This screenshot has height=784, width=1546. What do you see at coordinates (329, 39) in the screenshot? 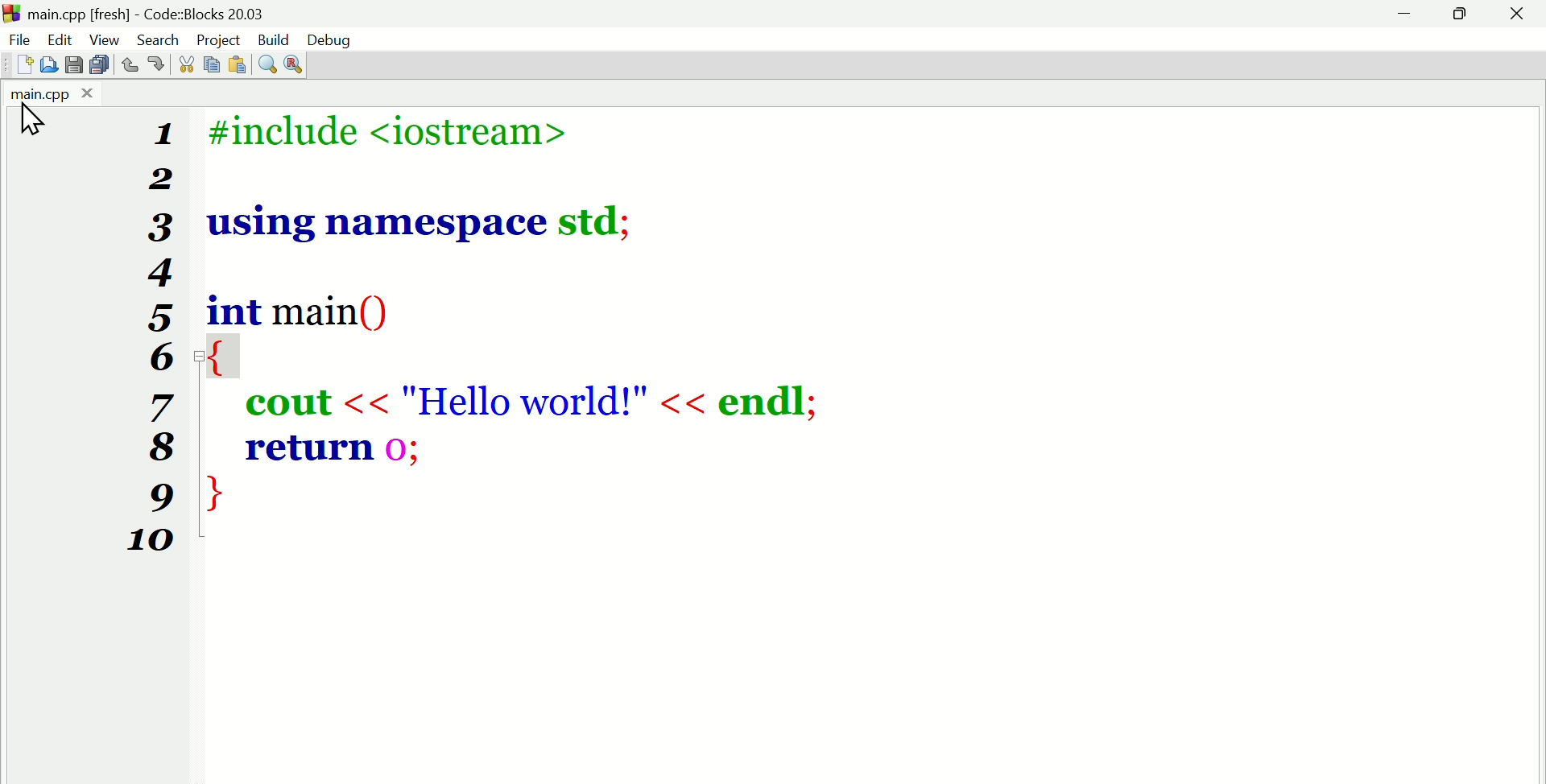
I see `Debug` at bounding box center [329, 39].